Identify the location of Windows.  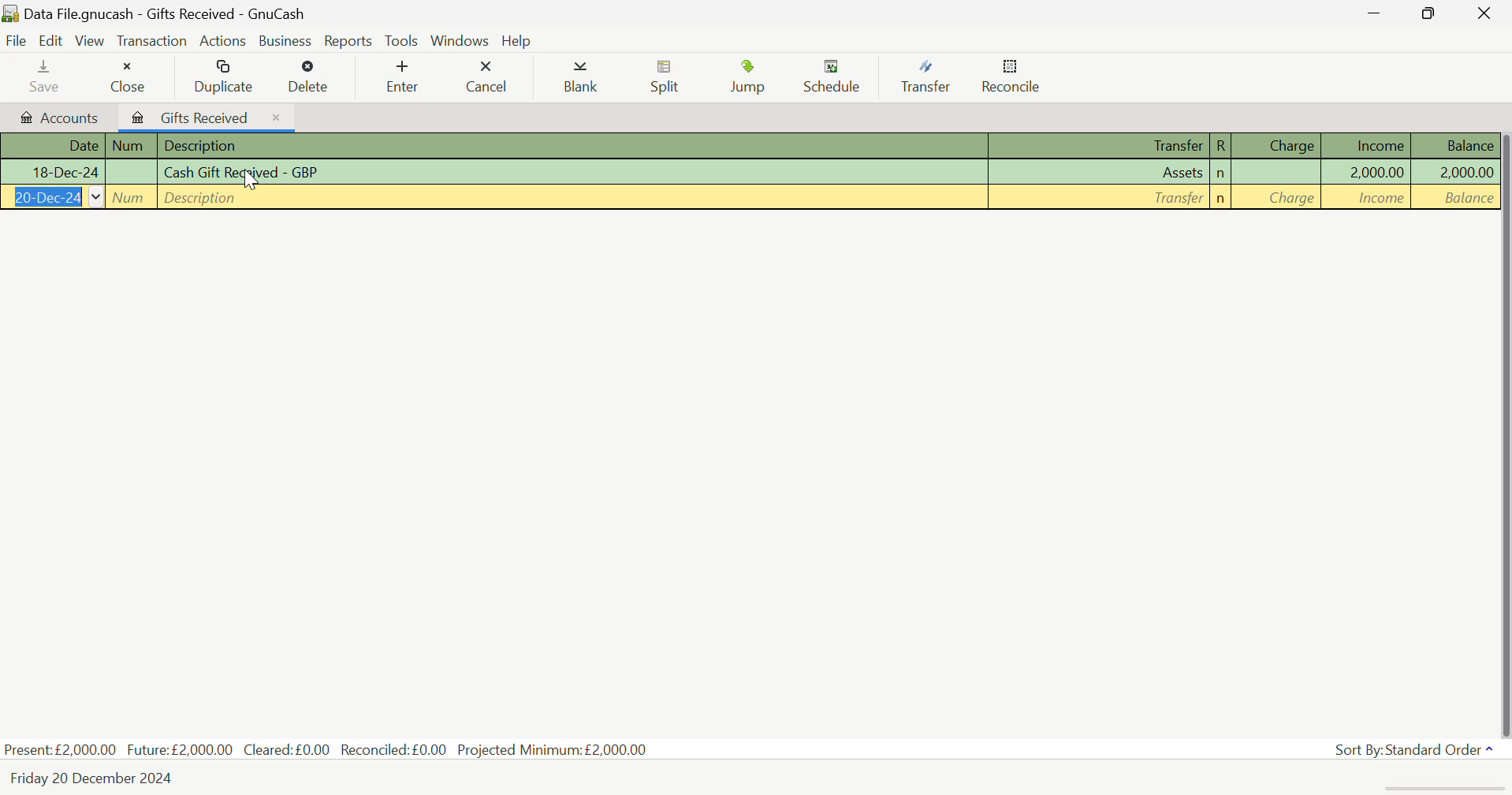
(460, 39).